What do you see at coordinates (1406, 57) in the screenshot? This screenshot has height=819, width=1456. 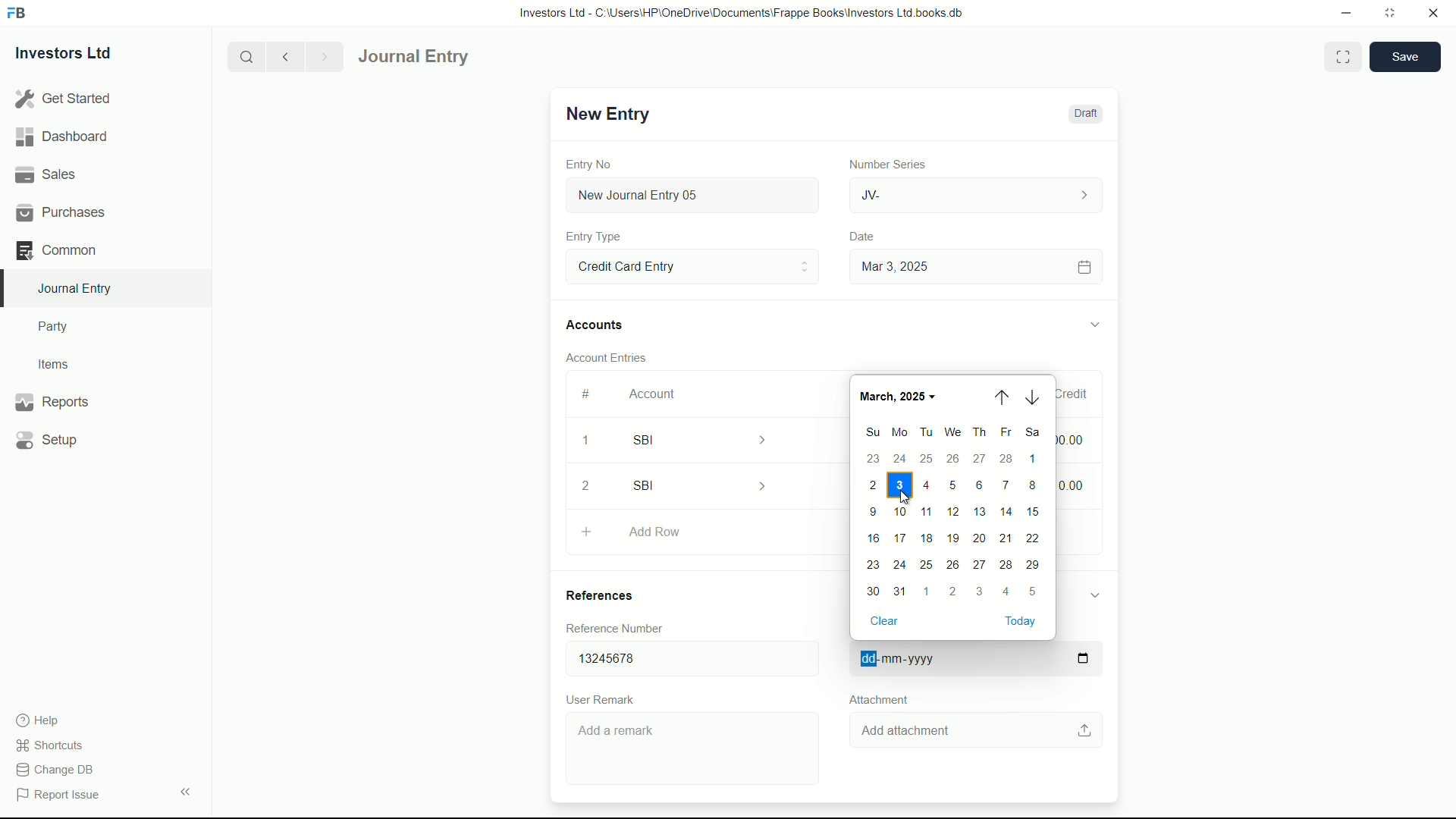 I see `save` at bounding box center [1406, 57].